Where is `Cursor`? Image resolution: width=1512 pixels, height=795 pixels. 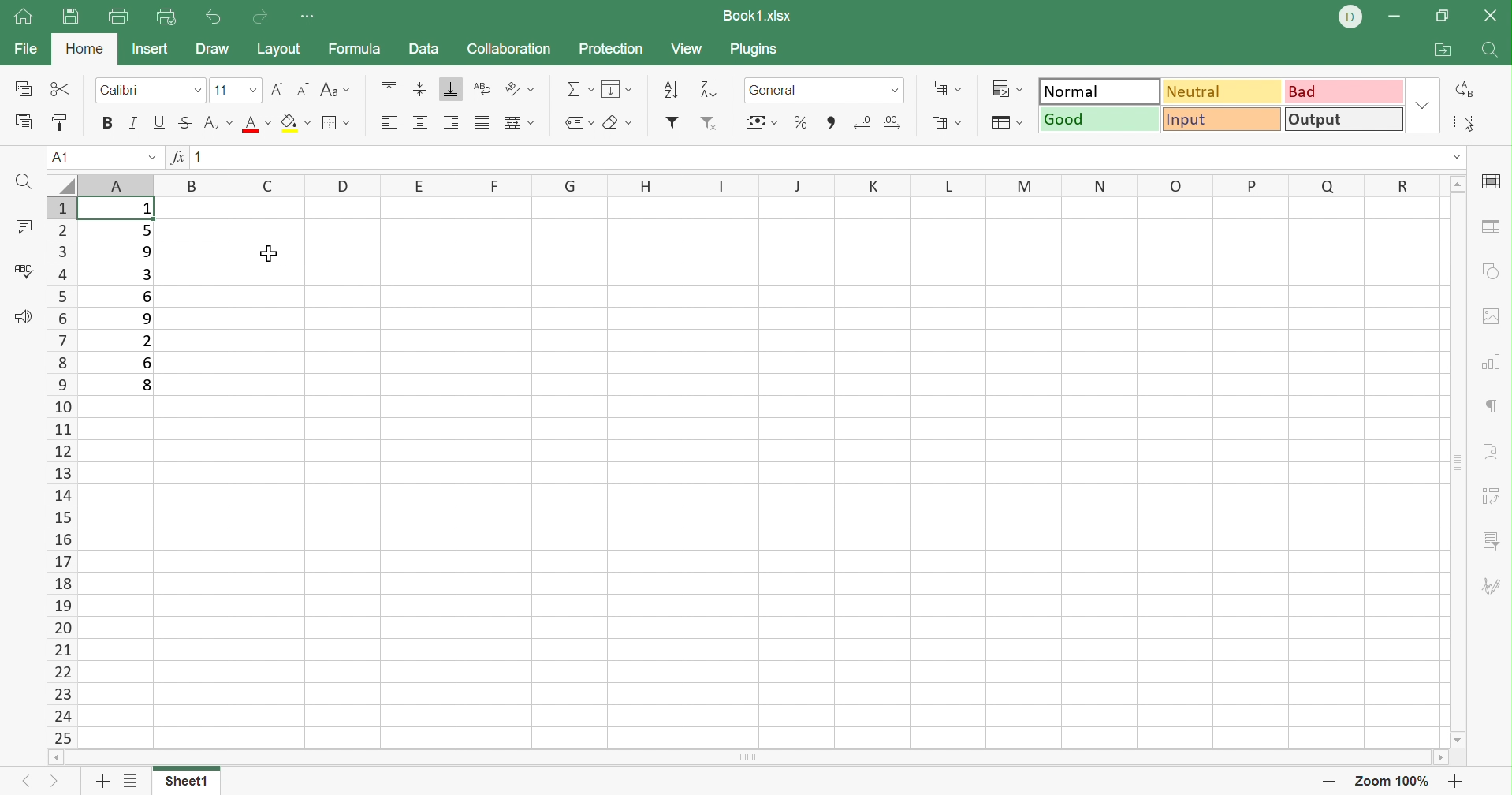 Cursor is located at coordinates (269, 252).